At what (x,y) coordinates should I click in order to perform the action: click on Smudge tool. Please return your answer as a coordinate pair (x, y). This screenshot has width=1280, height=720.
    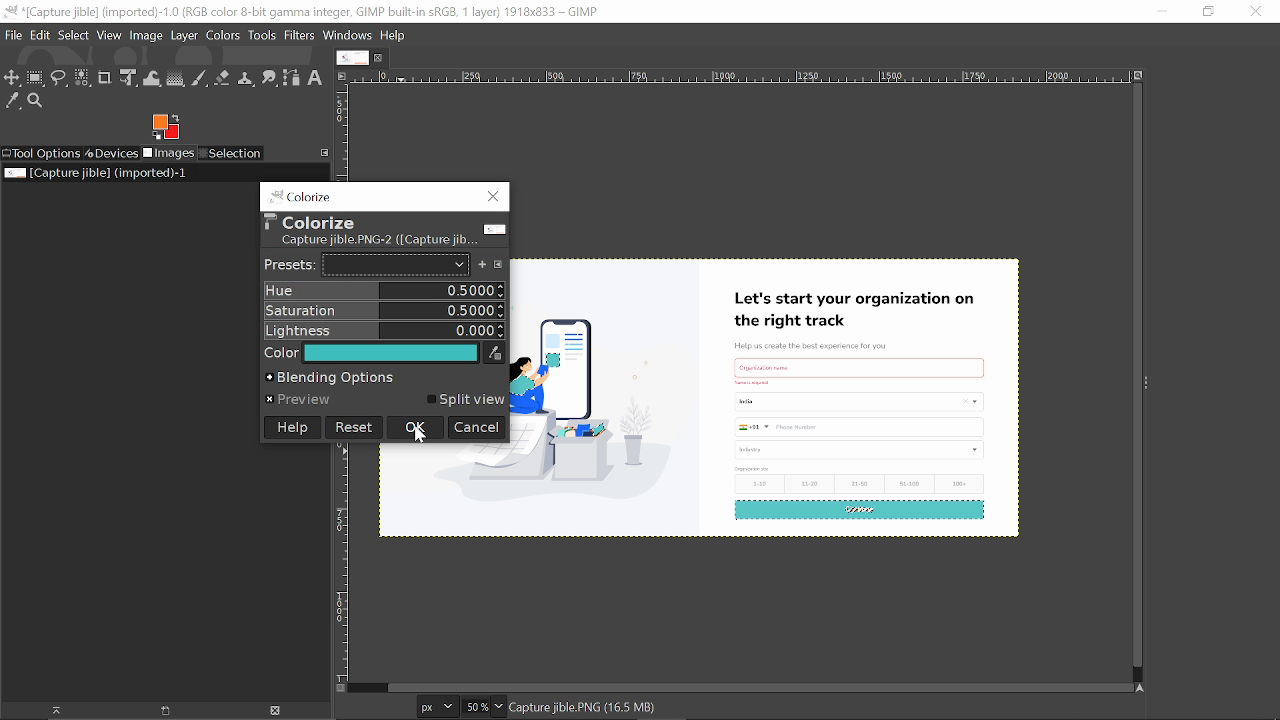
    Looking at the image, I should click on (269, 78).